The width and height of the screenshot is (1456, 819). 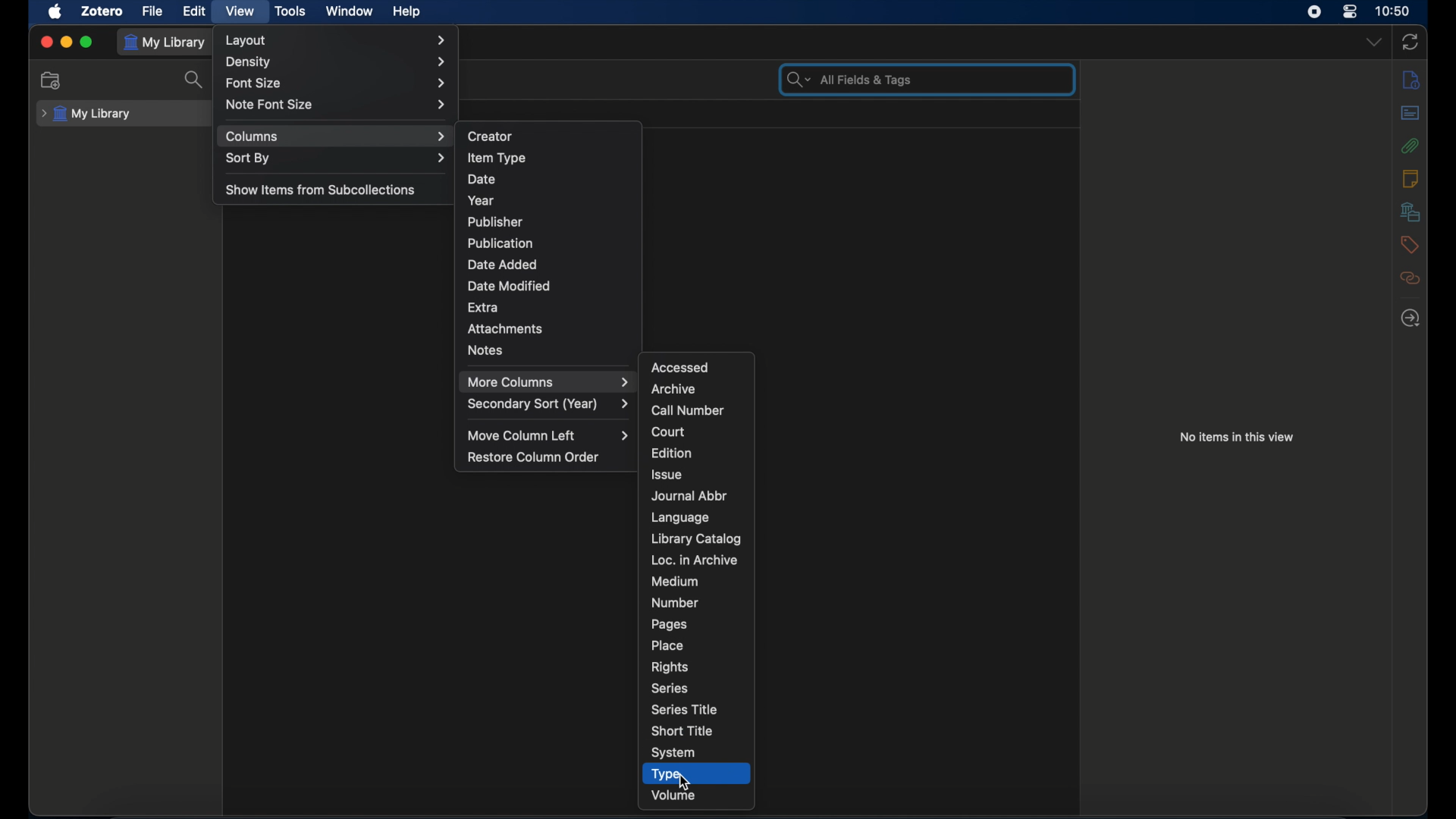 I want to click on search bar, so click(x=847, y=79).